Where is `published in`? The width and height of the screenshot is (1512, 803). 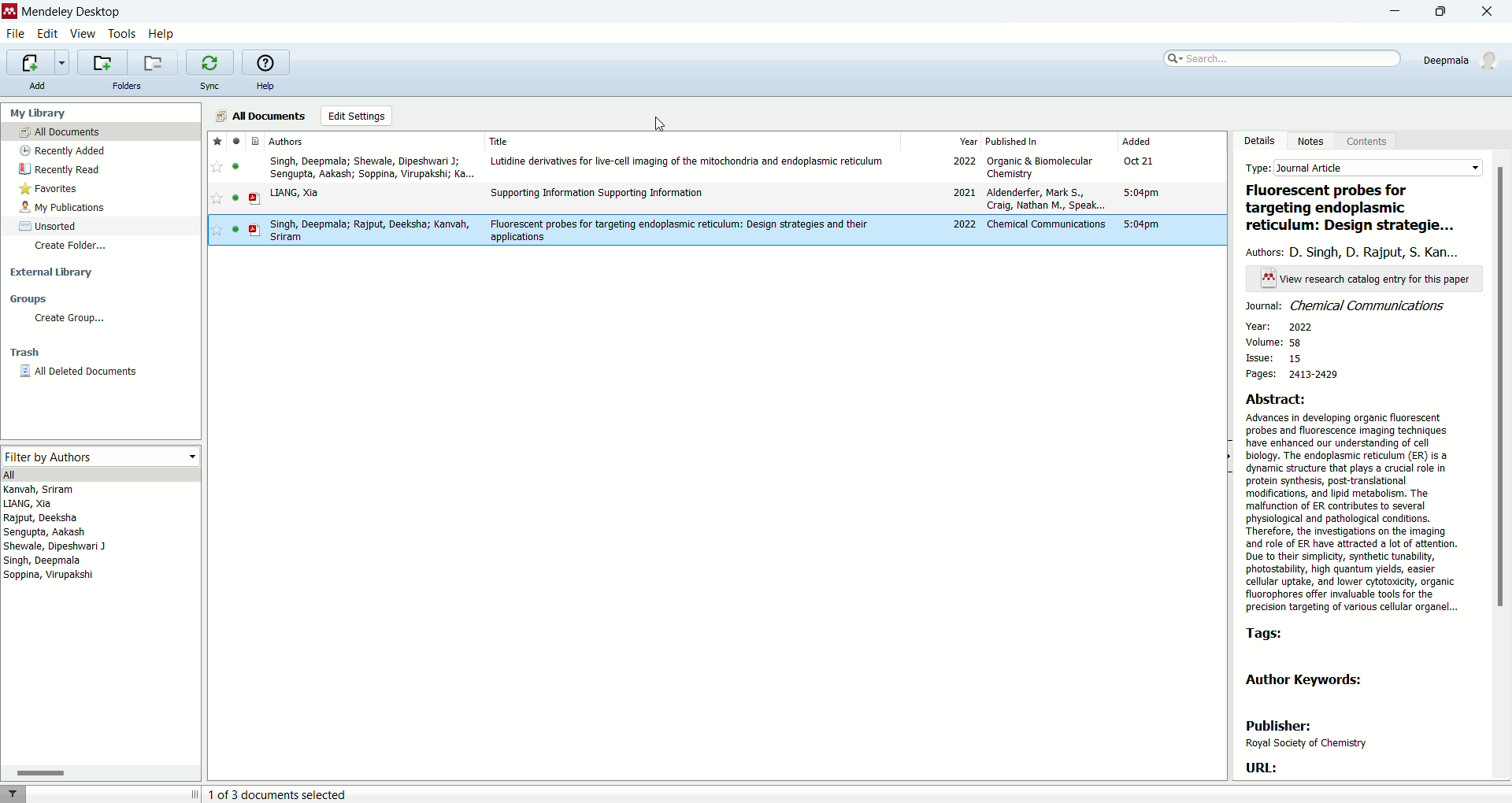 published in is located at coordinates (1048, 140).